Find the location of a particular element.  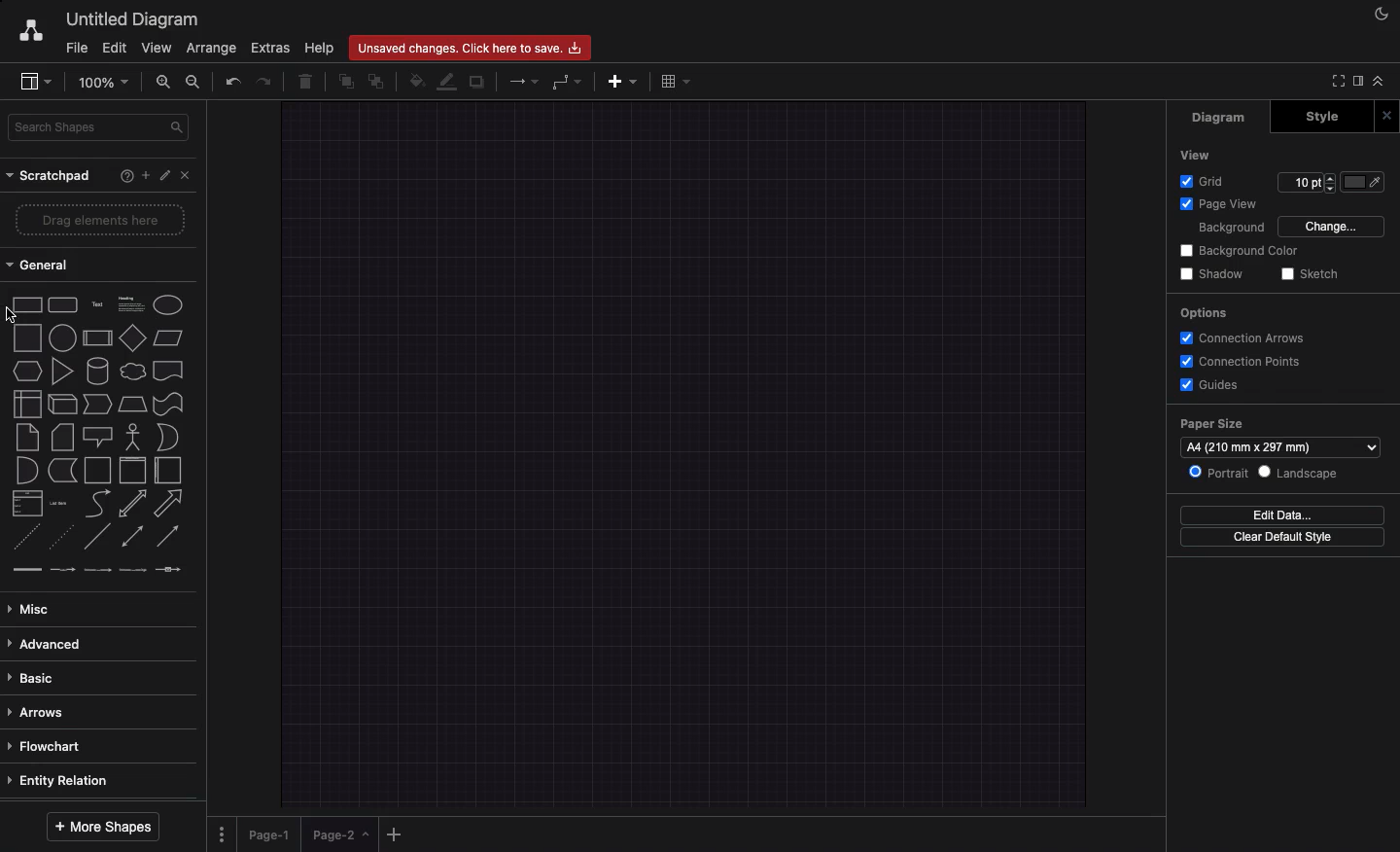

Basic is located at coordinates (36, 673).